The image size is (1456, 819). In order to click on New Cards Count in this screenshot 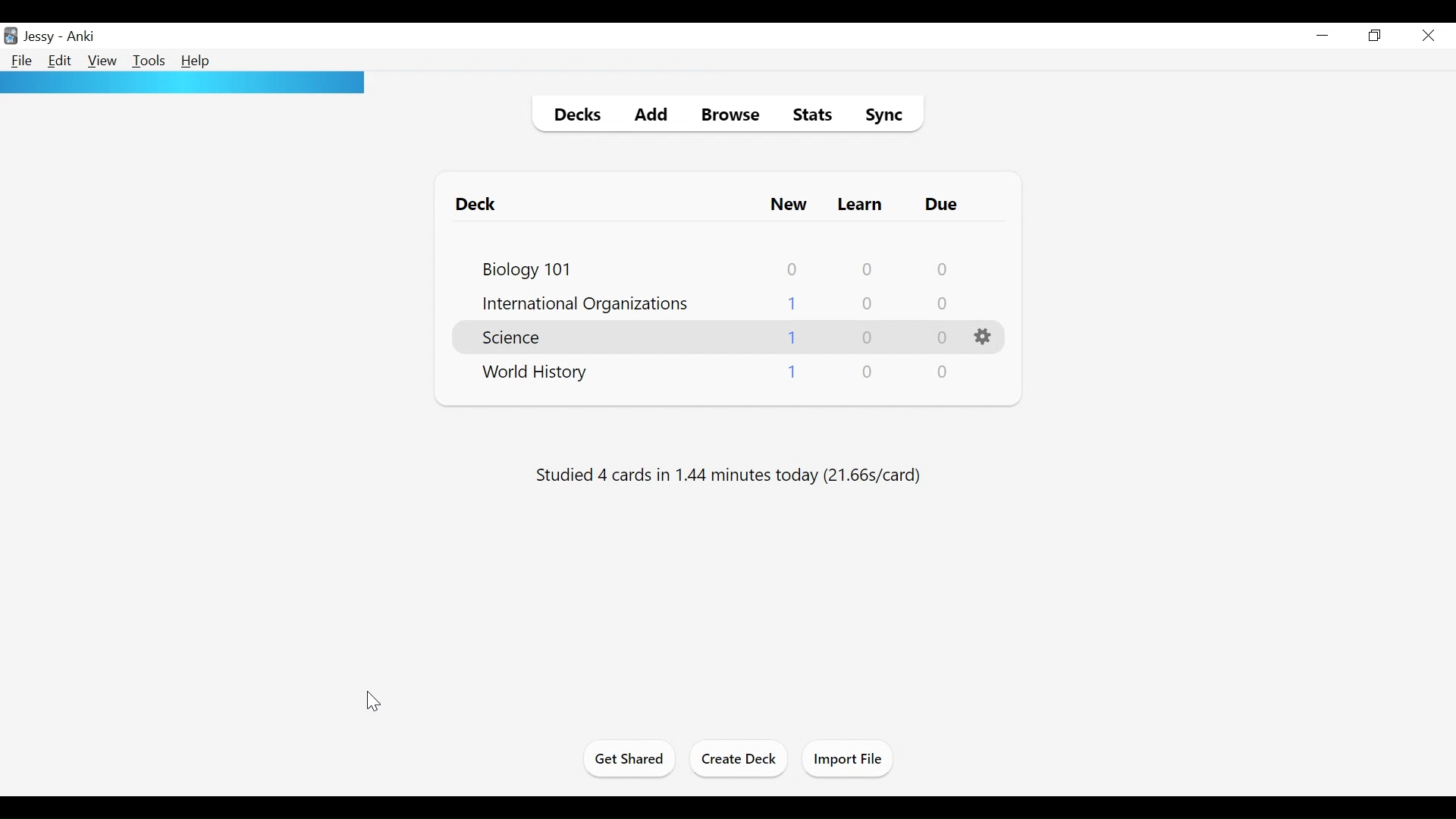, I will do `click(790, 372)`.